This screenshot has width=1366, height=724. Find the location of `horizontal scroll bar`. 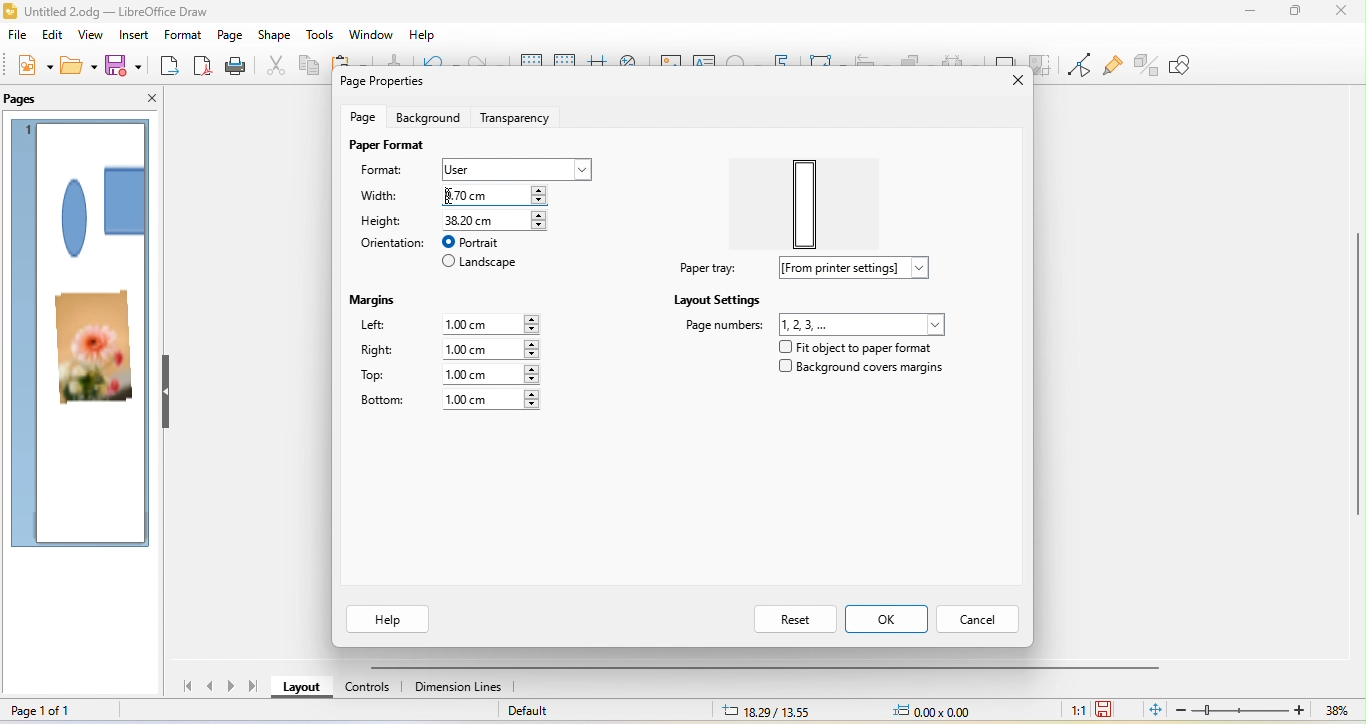

horizontal scroll bar is located at coordinates (764, 669).